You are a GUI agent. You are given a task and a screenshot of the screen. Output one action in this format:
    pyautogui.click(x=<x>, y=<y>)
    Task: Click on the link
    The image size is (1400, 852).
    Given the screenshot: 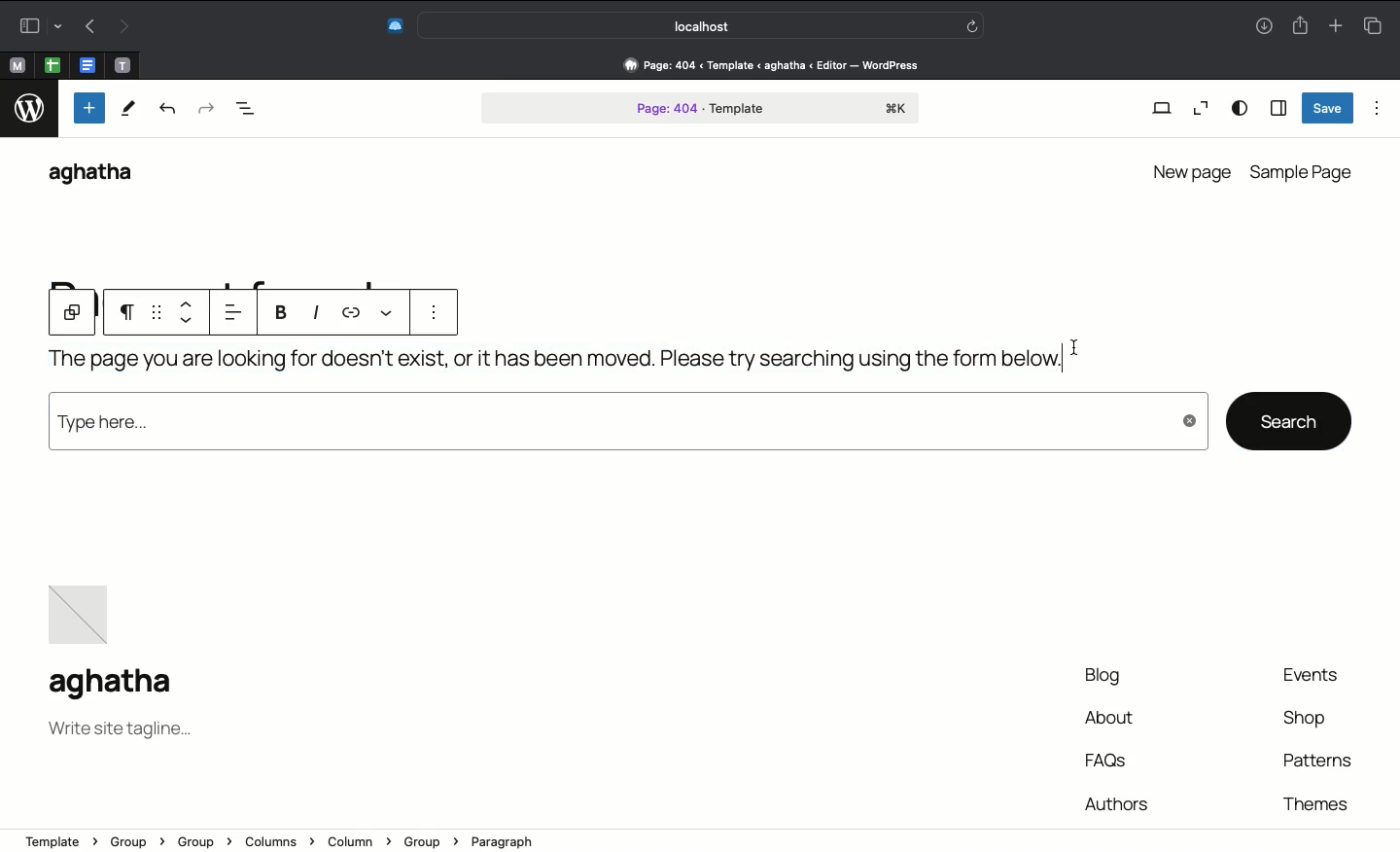 What is the action you would take?
    pyautogui.click(x=356, y=308)
    